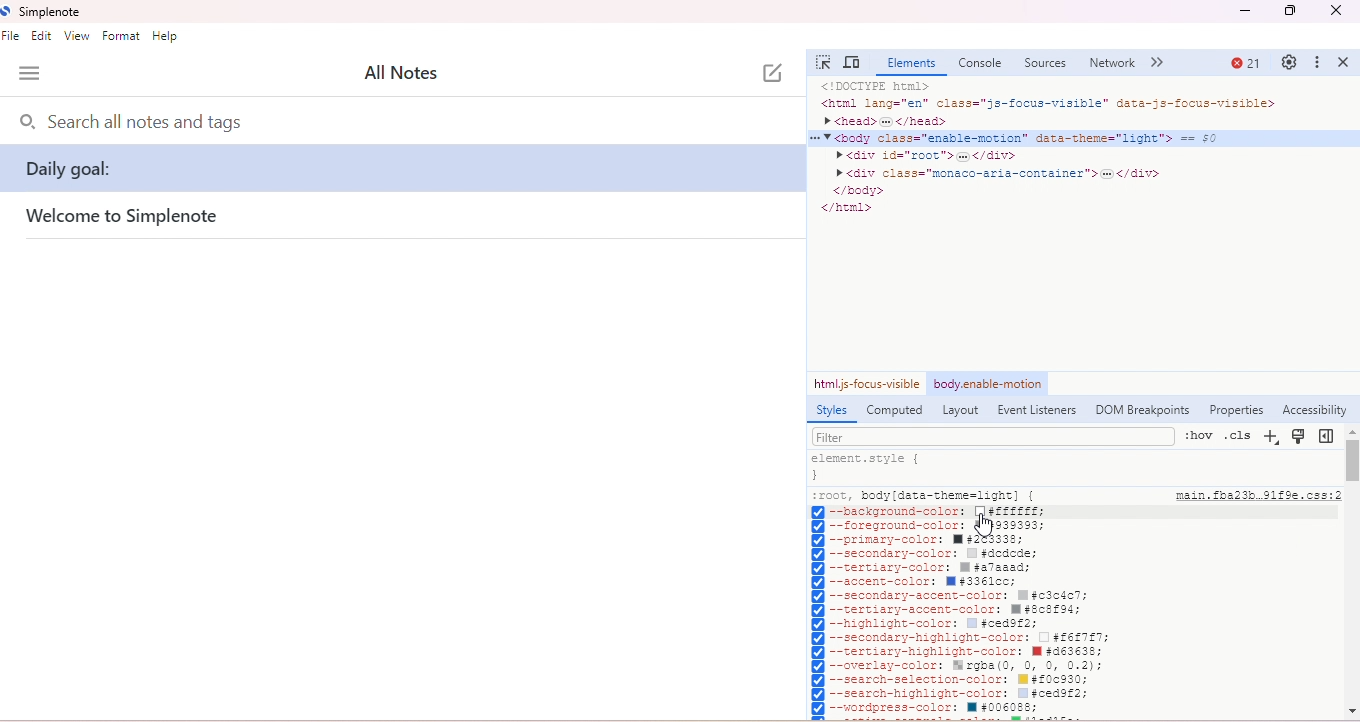 The height and width of the screenshot is (722, 1360). Describe the element at coordinates (1288, 61) in the screenshot. I see `settings` at that location.